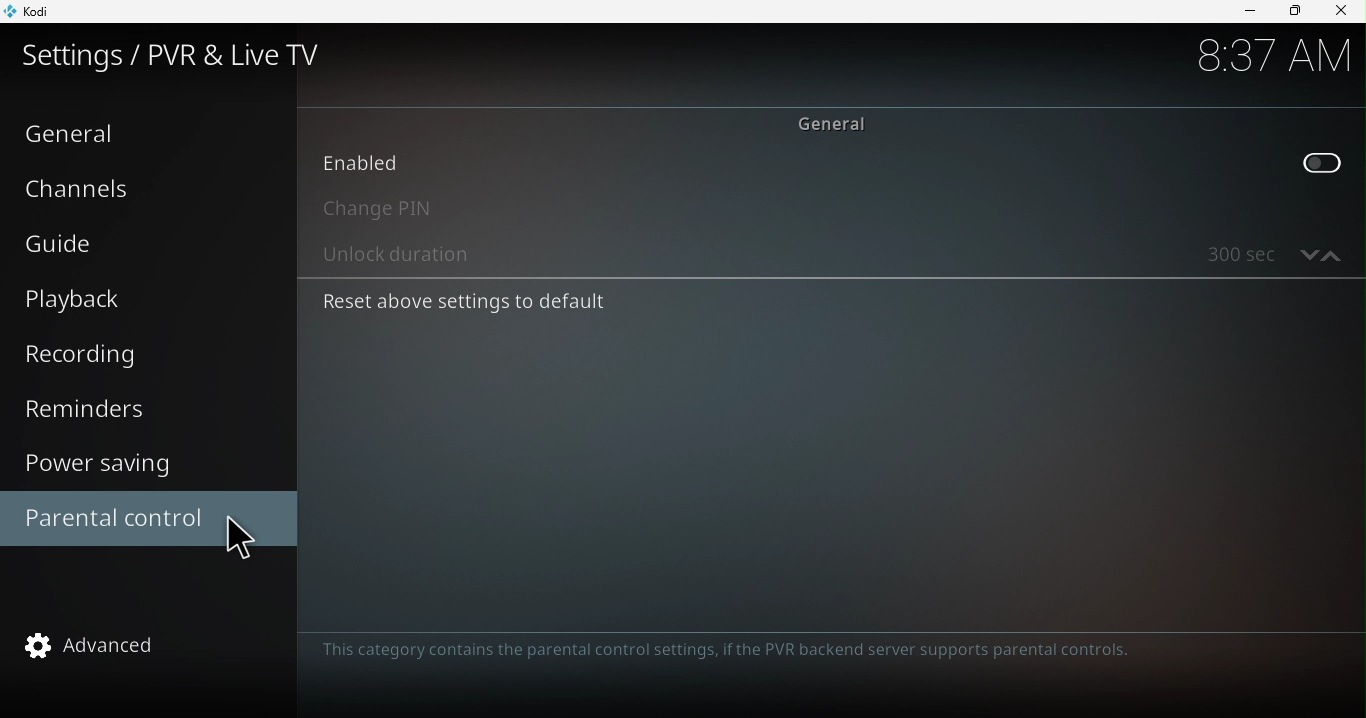 This screenshot has width=1366, height=718. Describe the element at coordinates (1249, 13) in the screenshot. I see `Minimize` at that location.